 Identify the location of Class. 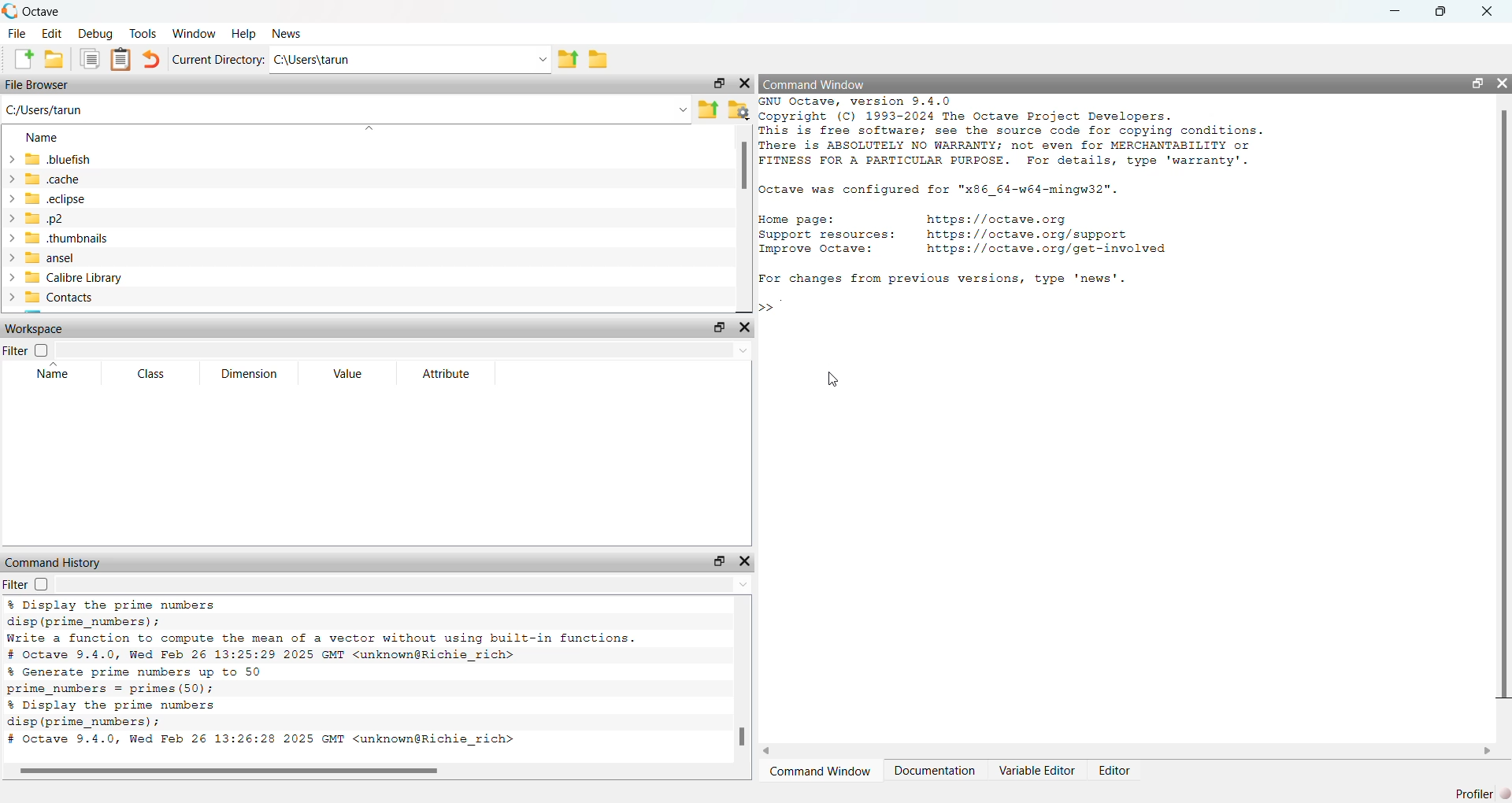
(151, 373).